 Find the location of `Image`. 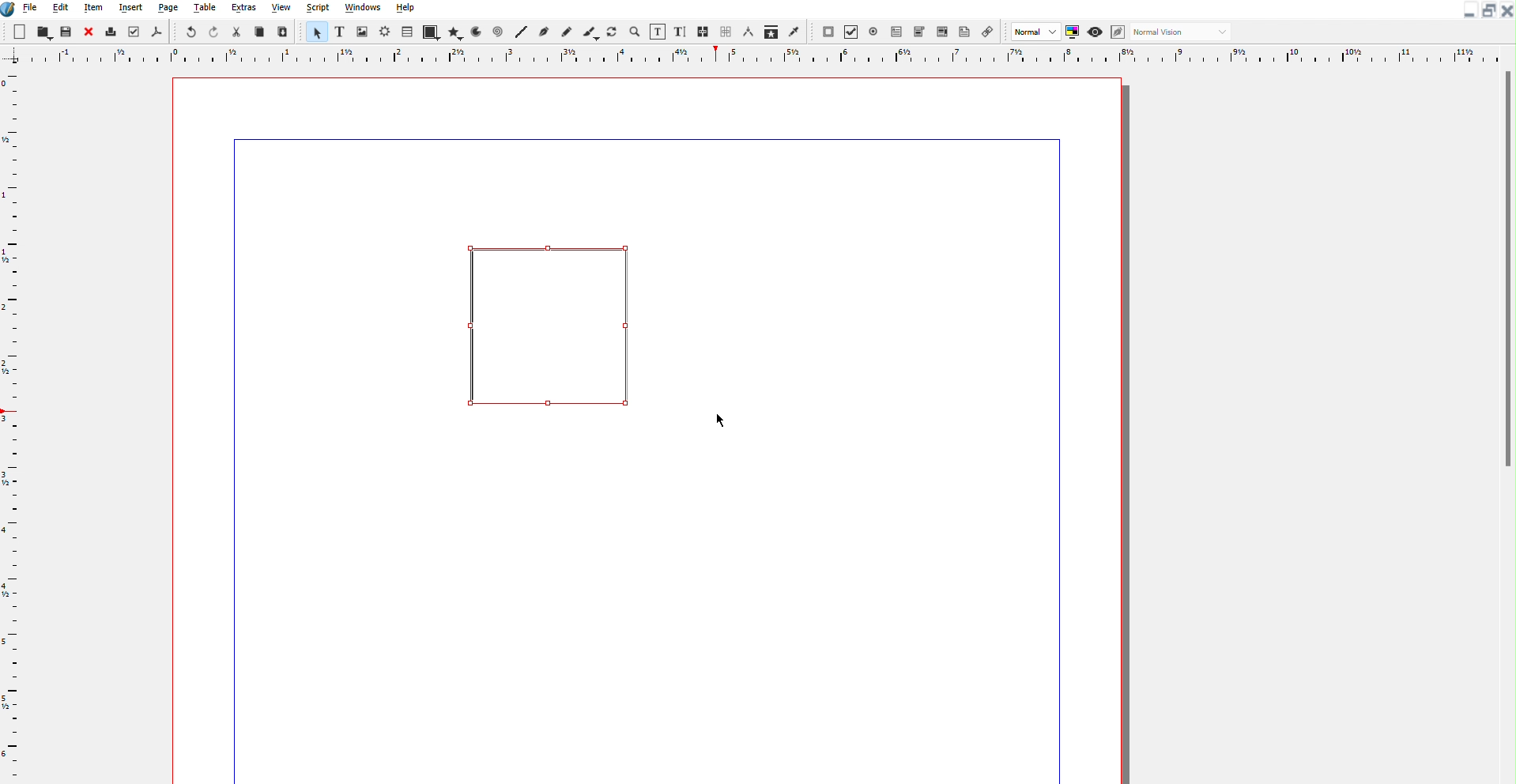

Image is located at coordinates (363, 32).